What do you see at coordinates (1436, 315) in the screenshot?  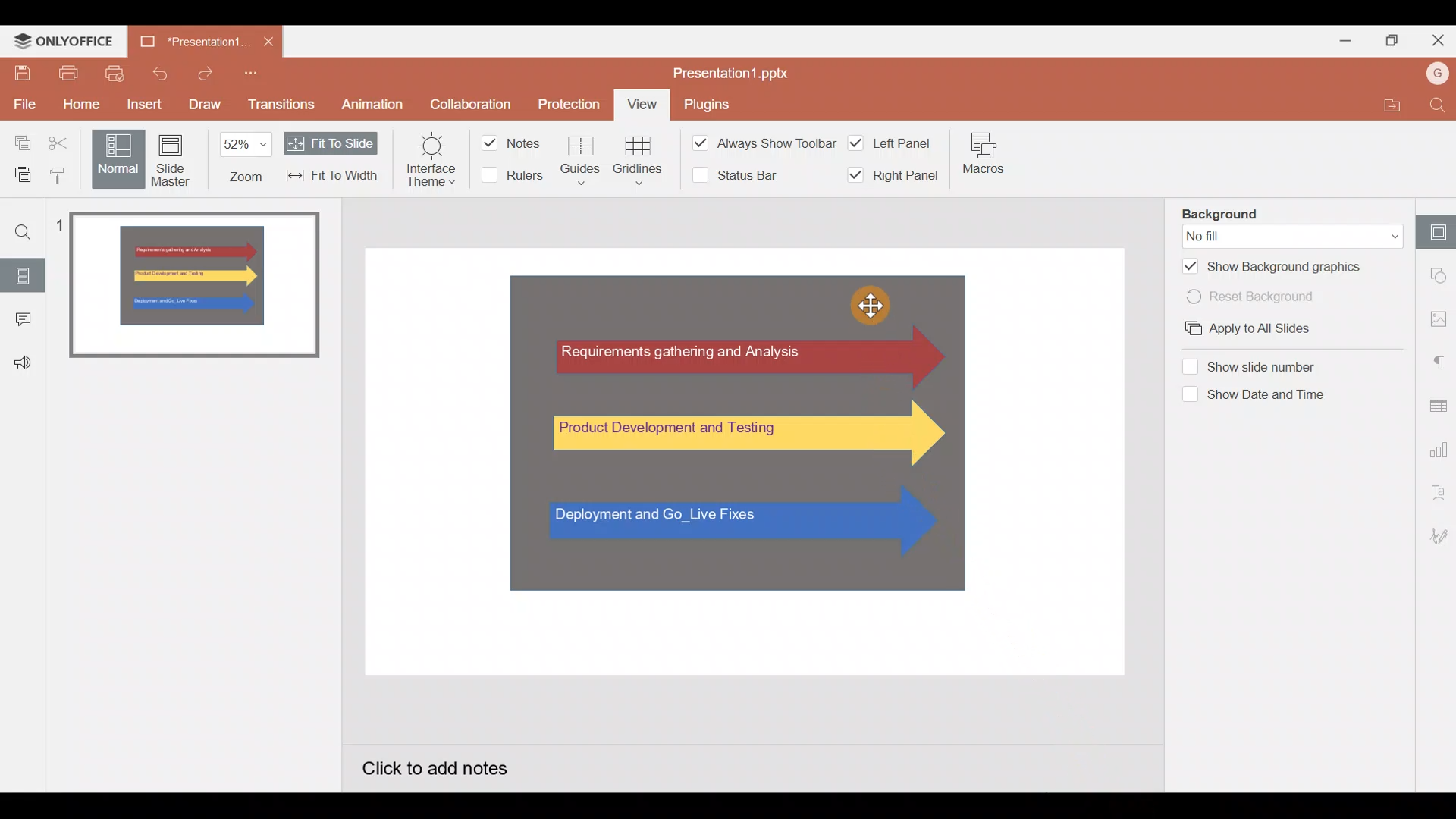 I see `Image settings` at bounding box center [1436, 315].